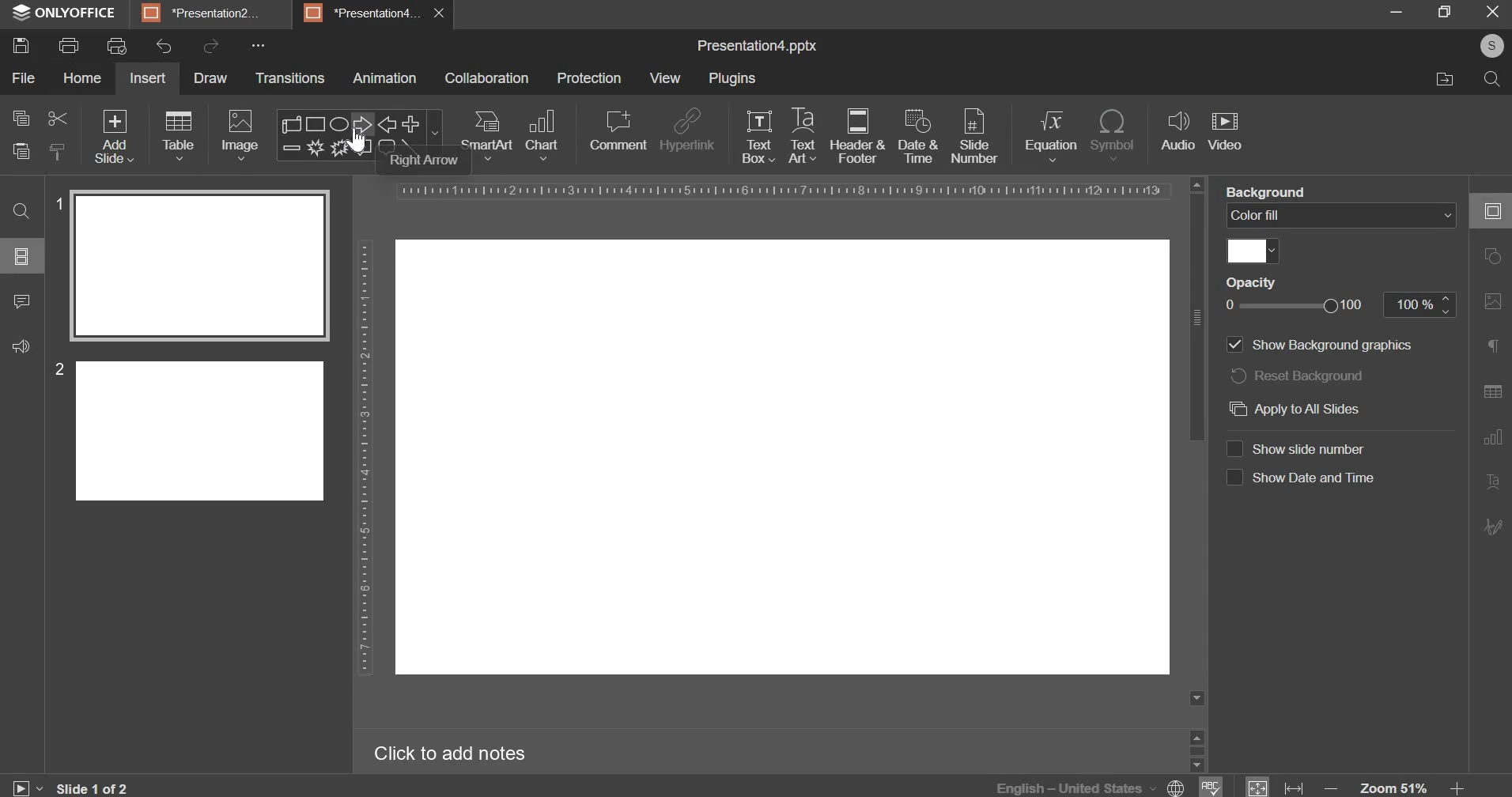 This screenshot has height=797, width=1512. Describe the element at coordinates (1091, 784) in the screenshot. I see `language` at that location.